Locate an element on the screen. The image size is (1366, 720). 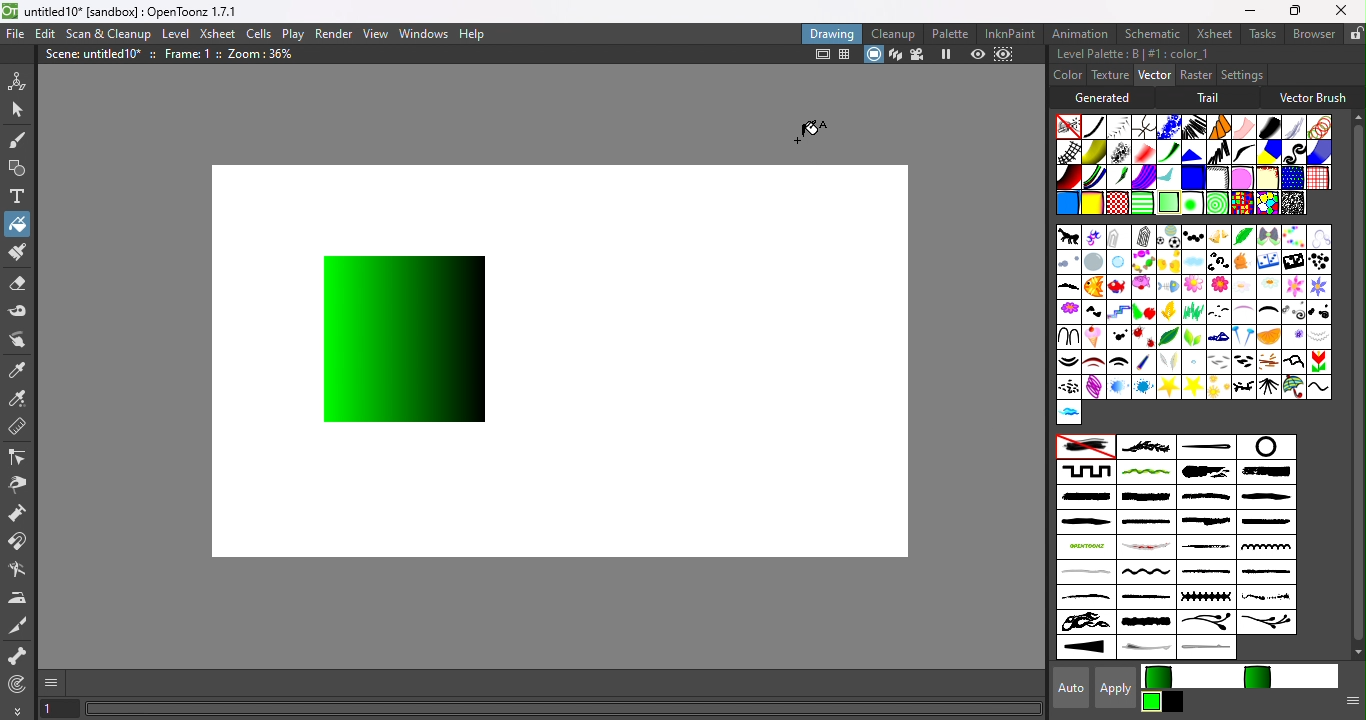
Camera stand view is located at coordinates (873, 55).